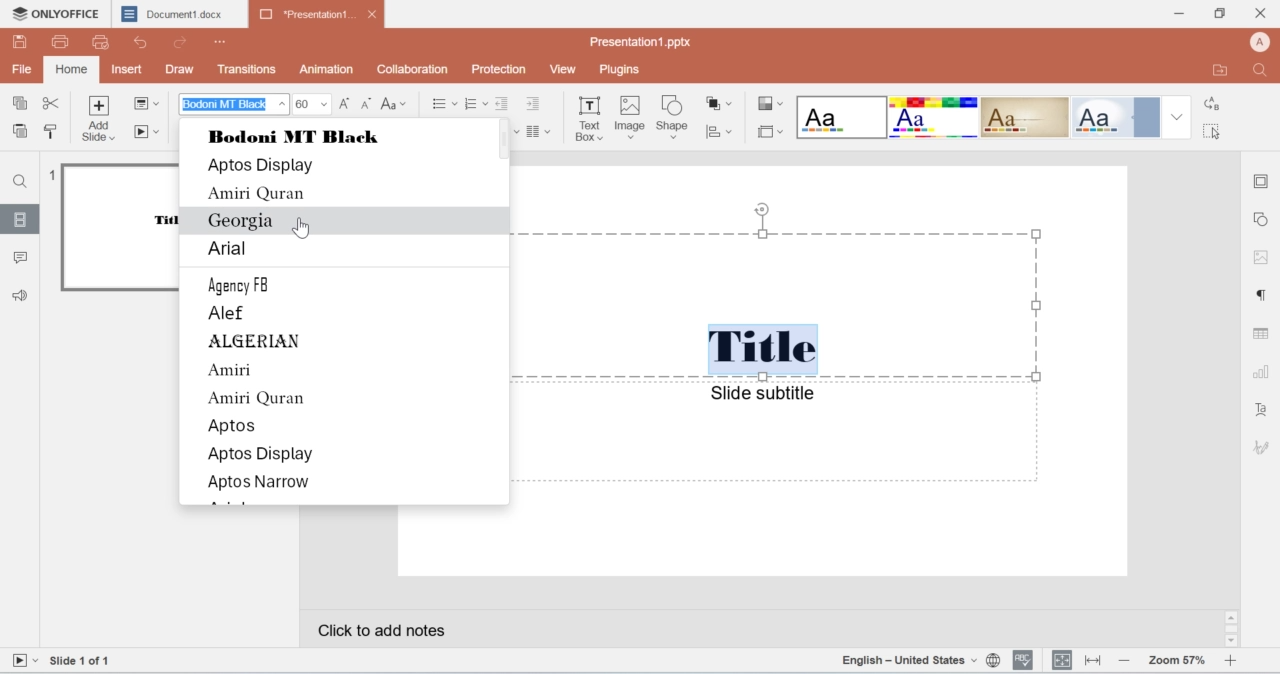 The image size is (1280, 674). What do you see at coordinates (250, 286) in the screenshot?
I see `Agency FB` at bounding box center [250, 286].